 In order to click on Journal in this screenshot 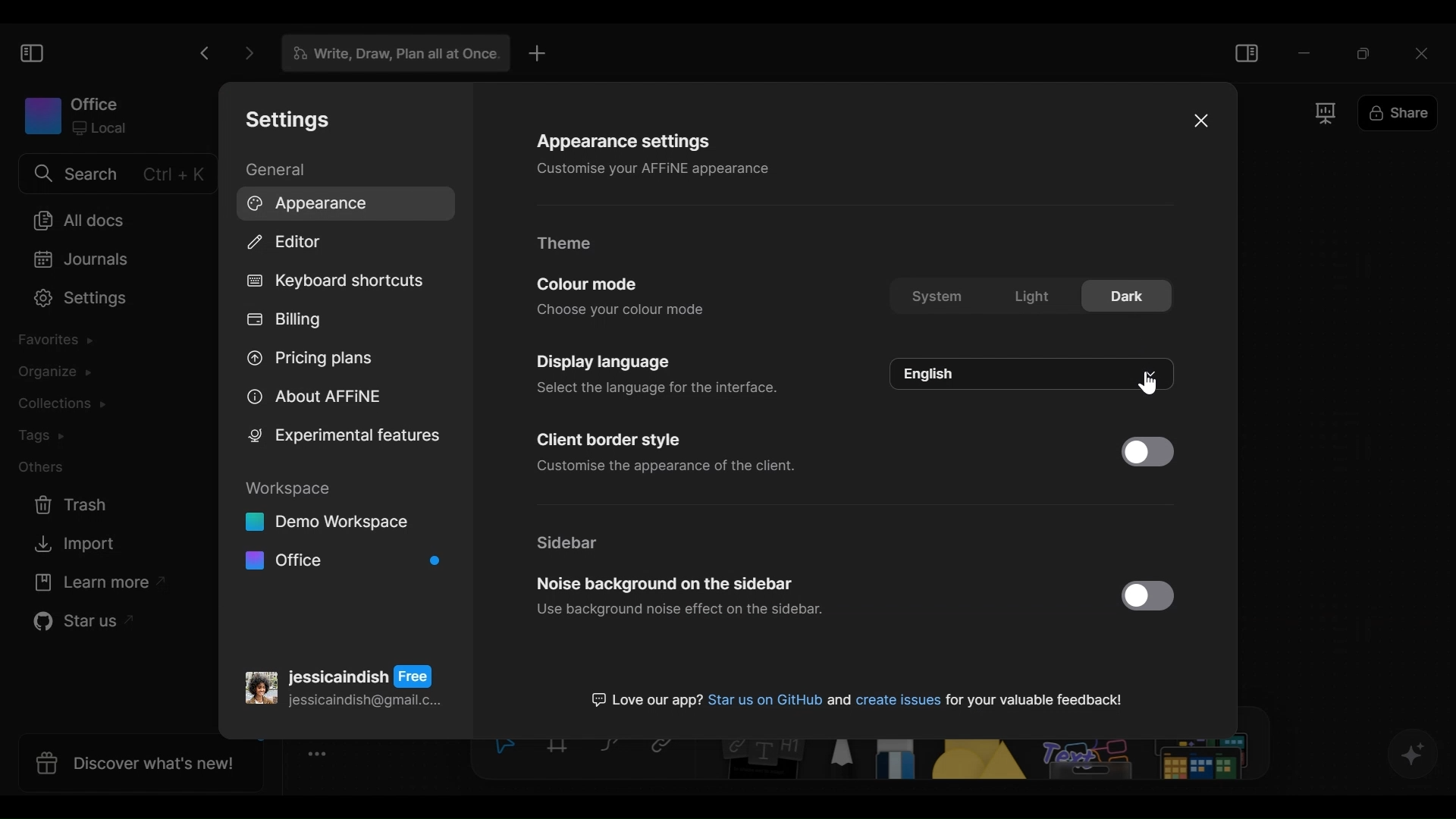, I will do `click(77, 260)`.